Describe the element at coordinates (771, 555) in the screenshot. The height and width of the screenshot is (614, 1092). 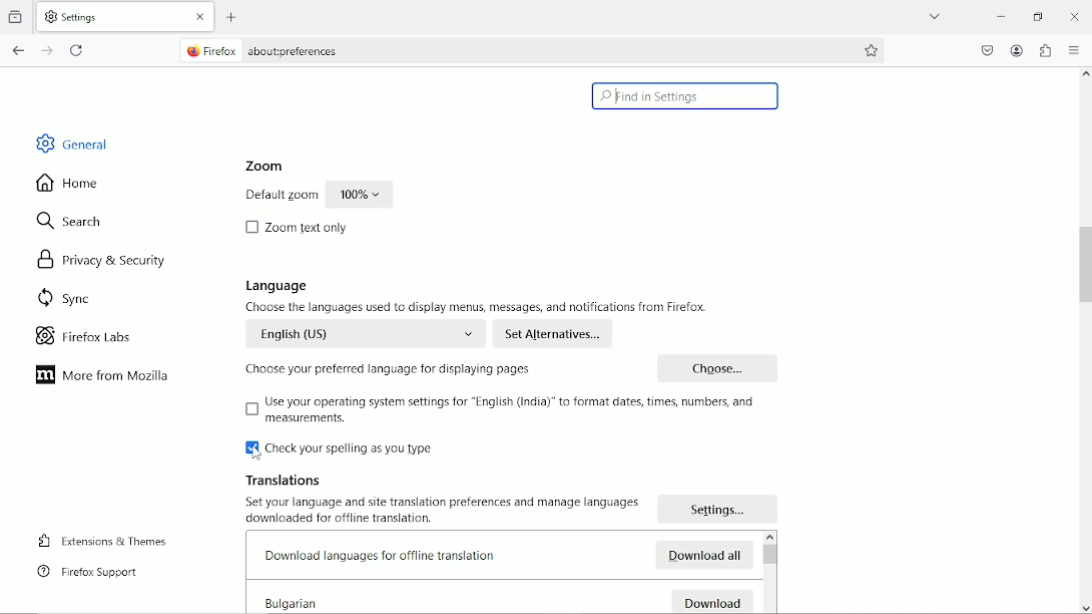
I see `Vertical scrollbar` at that location.